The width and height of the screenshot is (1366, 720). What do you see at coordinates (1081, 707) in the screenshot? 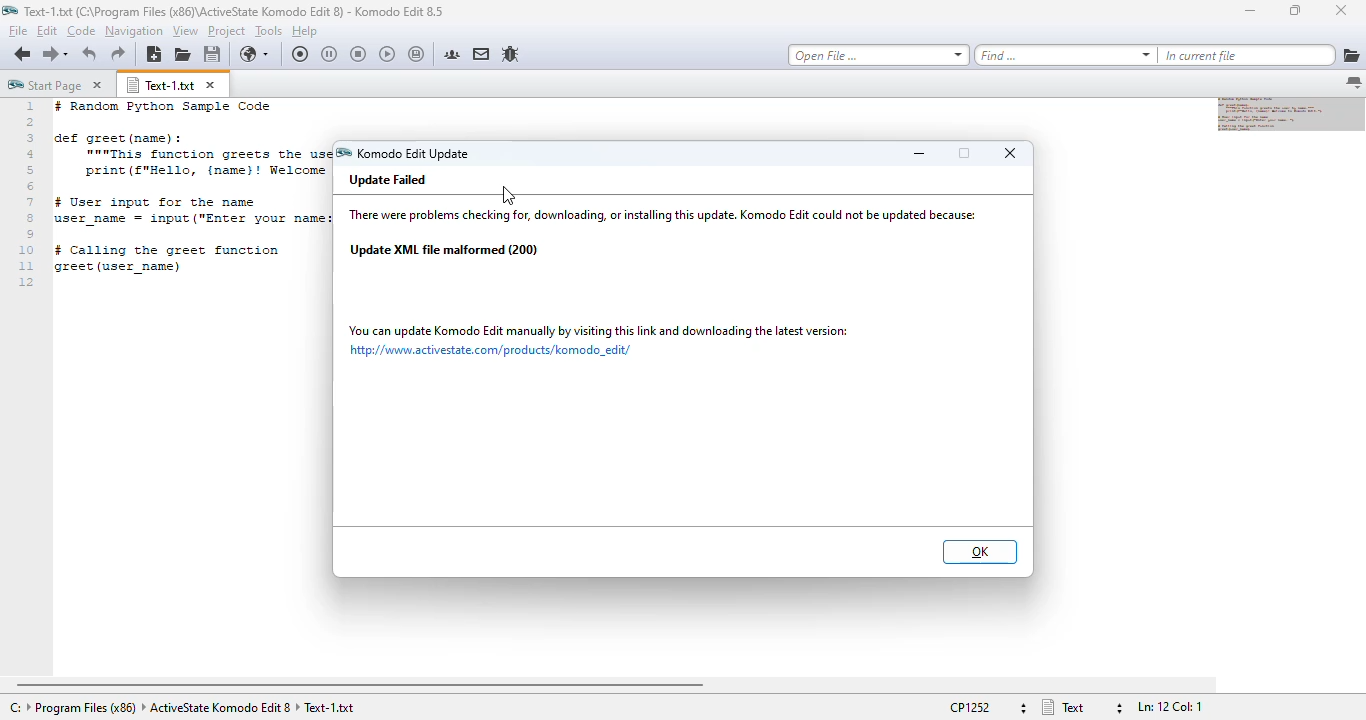
I see `file type` at bounding box center [1081, 707].